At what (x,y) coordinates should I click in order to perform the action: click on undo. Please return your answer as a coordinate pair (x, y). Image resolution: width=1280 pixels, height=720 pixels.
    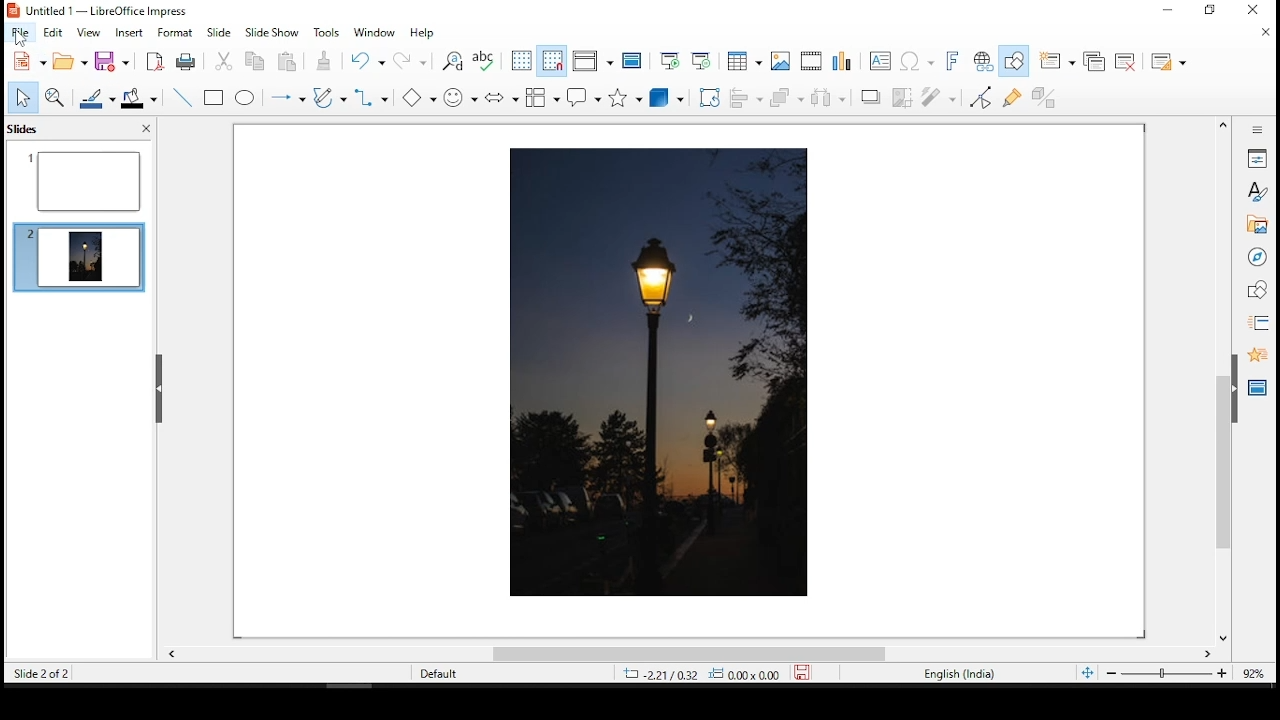
    Looking at the image, I should click on (367, 61).